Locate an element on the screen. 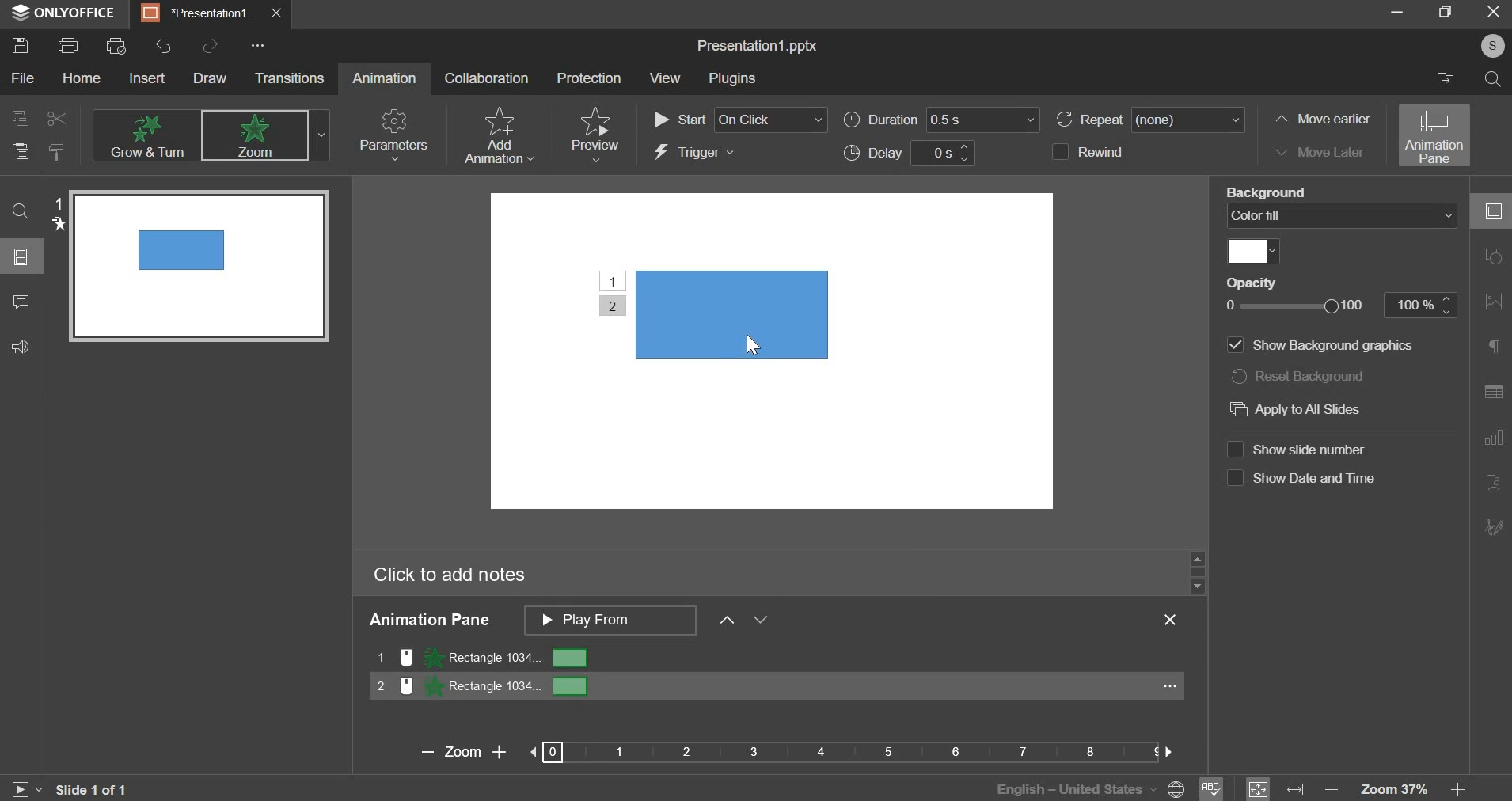  rectangle 1034 is located at coordinates (776, 658).